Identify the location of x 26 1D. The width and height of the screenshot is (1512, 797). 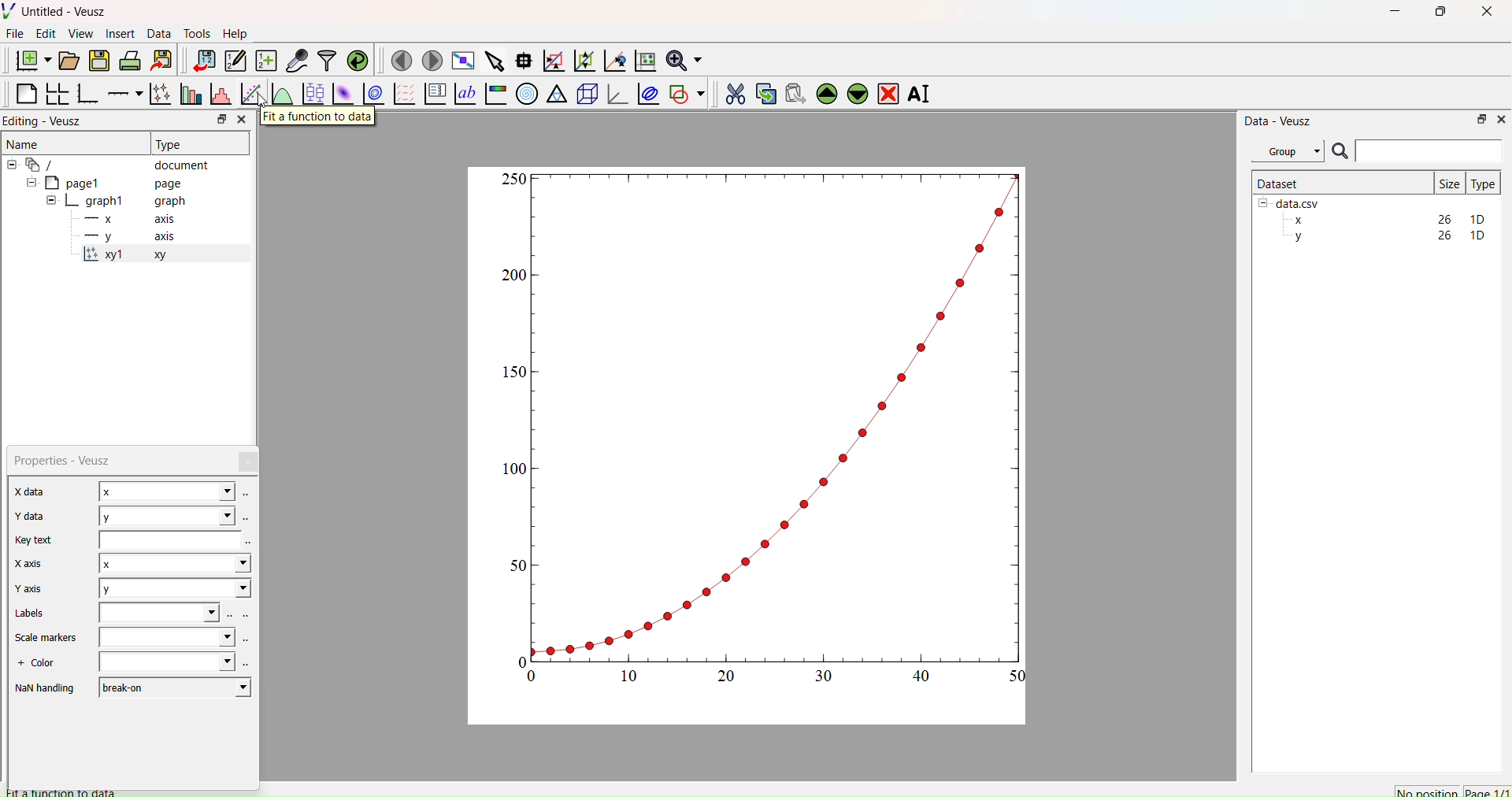
(1385, 220).